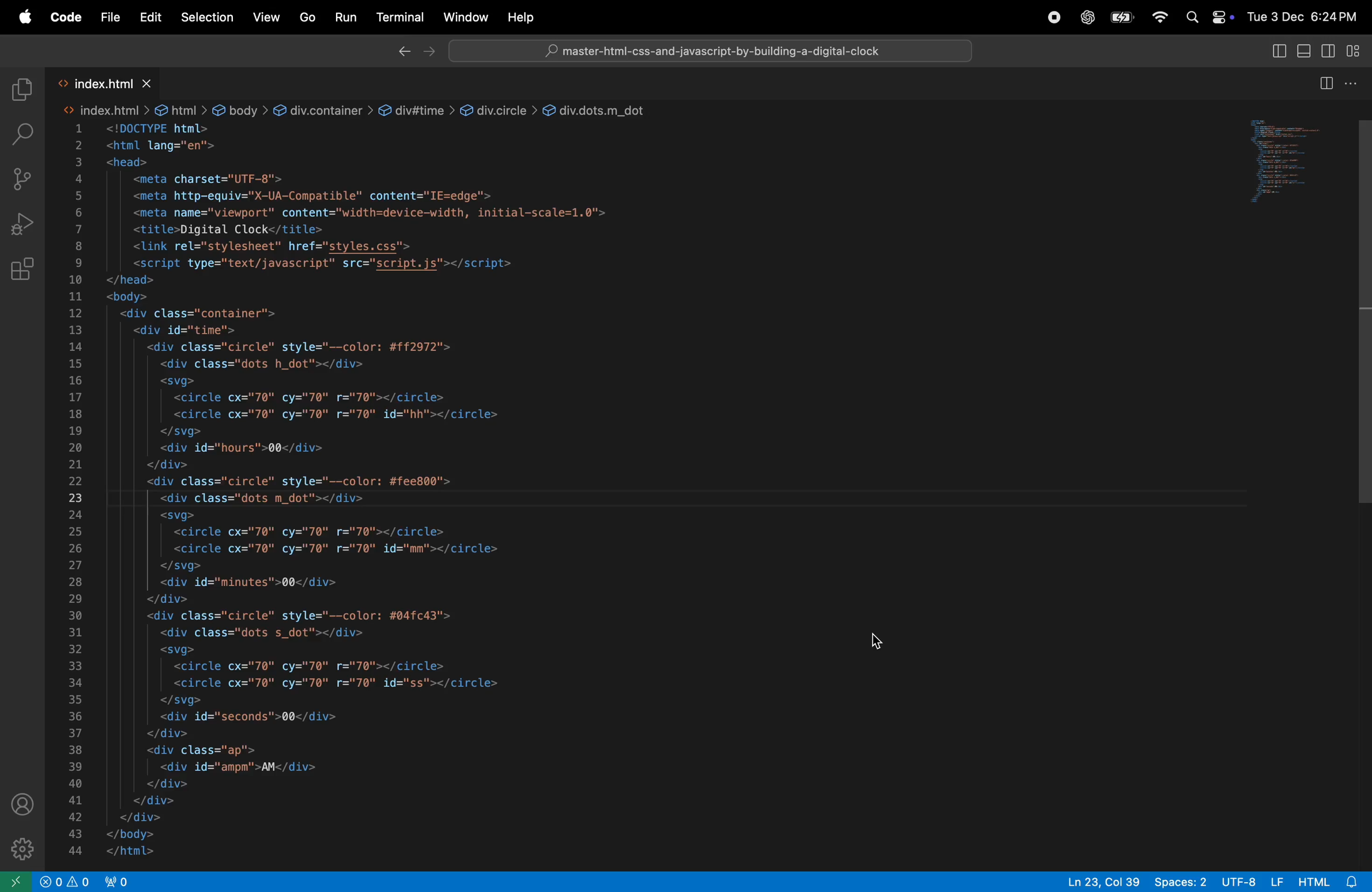 This screenshot has width=1372, height=892. Describe the element at coordinates (20, 803) in the screenshot. I see `profile` at that location.